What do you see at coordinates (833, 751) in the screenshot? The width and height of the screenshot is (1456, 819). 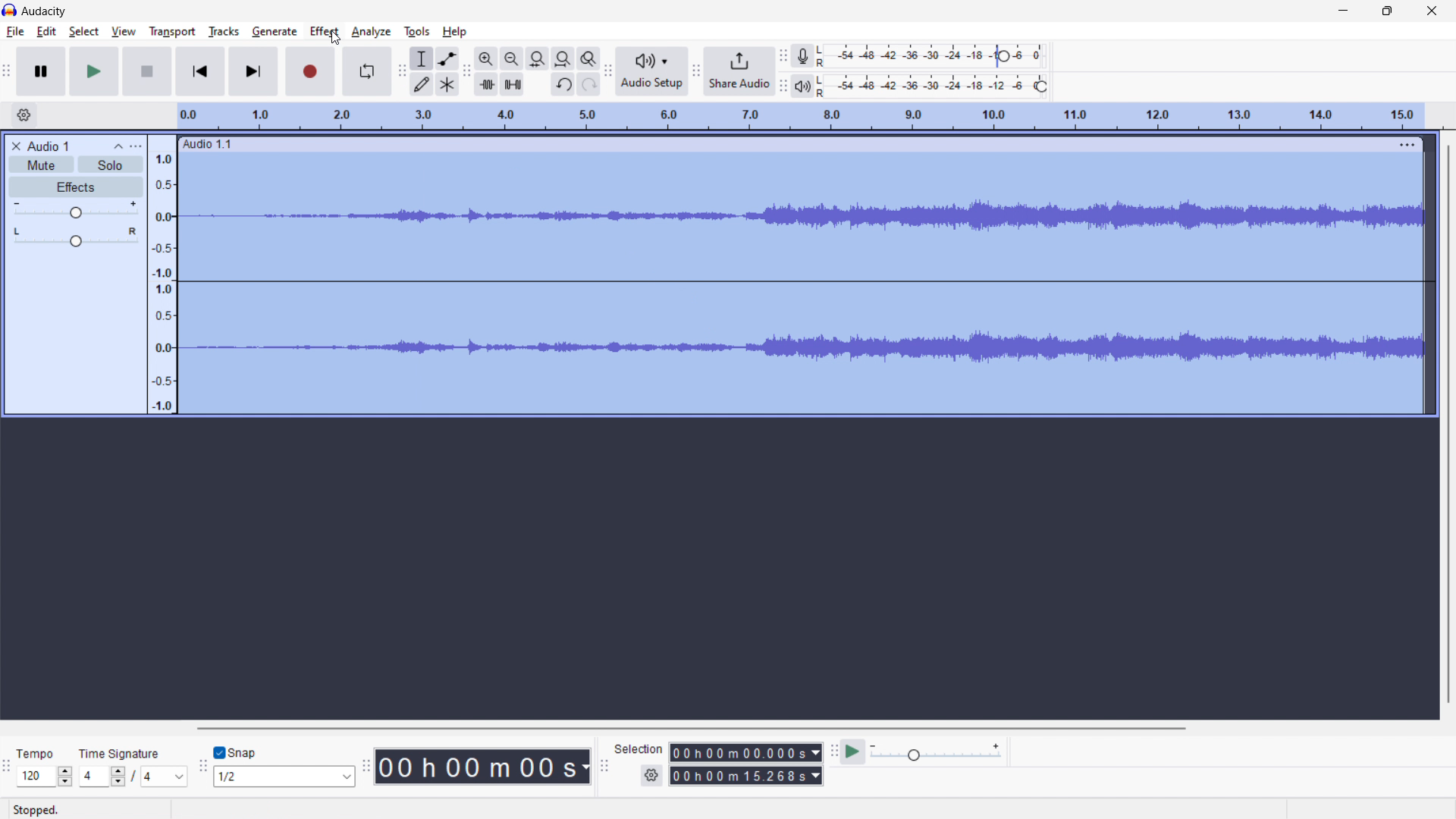 I see `play at speed toolbar` at bounding box center [833, 751].